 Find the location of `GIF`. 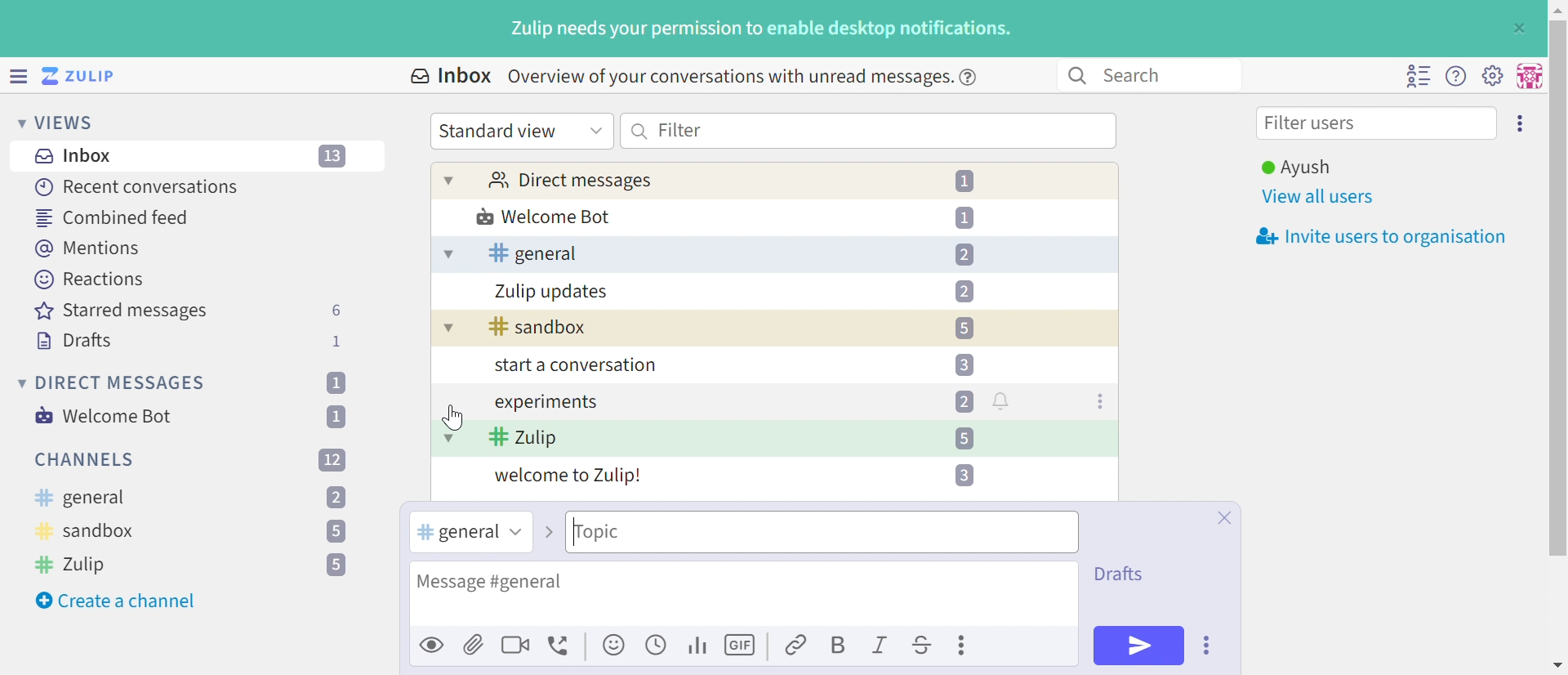

GIF is located at coordinates (742, 646).